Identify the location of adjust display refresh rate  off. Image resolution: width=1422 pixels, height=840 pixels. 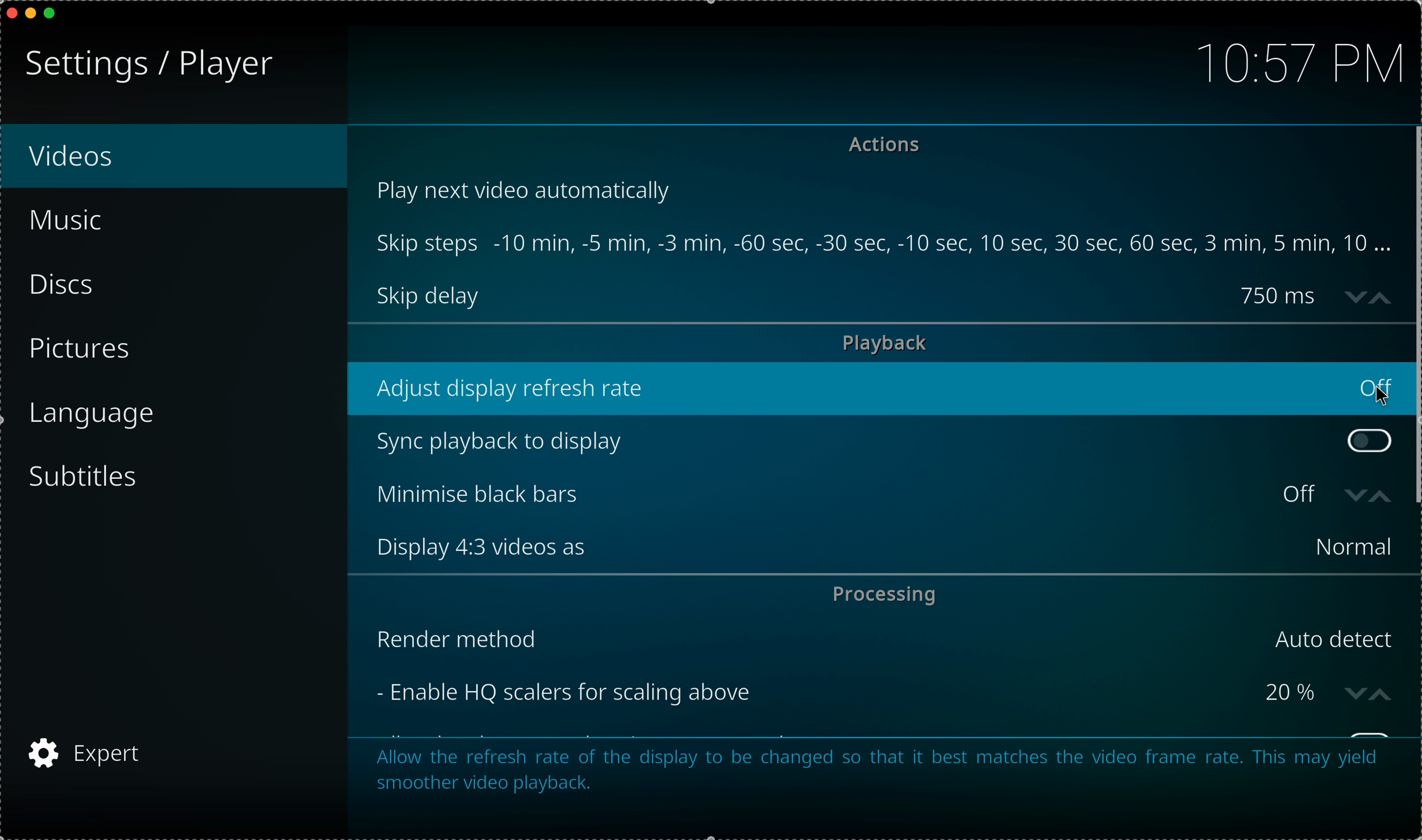
(882, 388).